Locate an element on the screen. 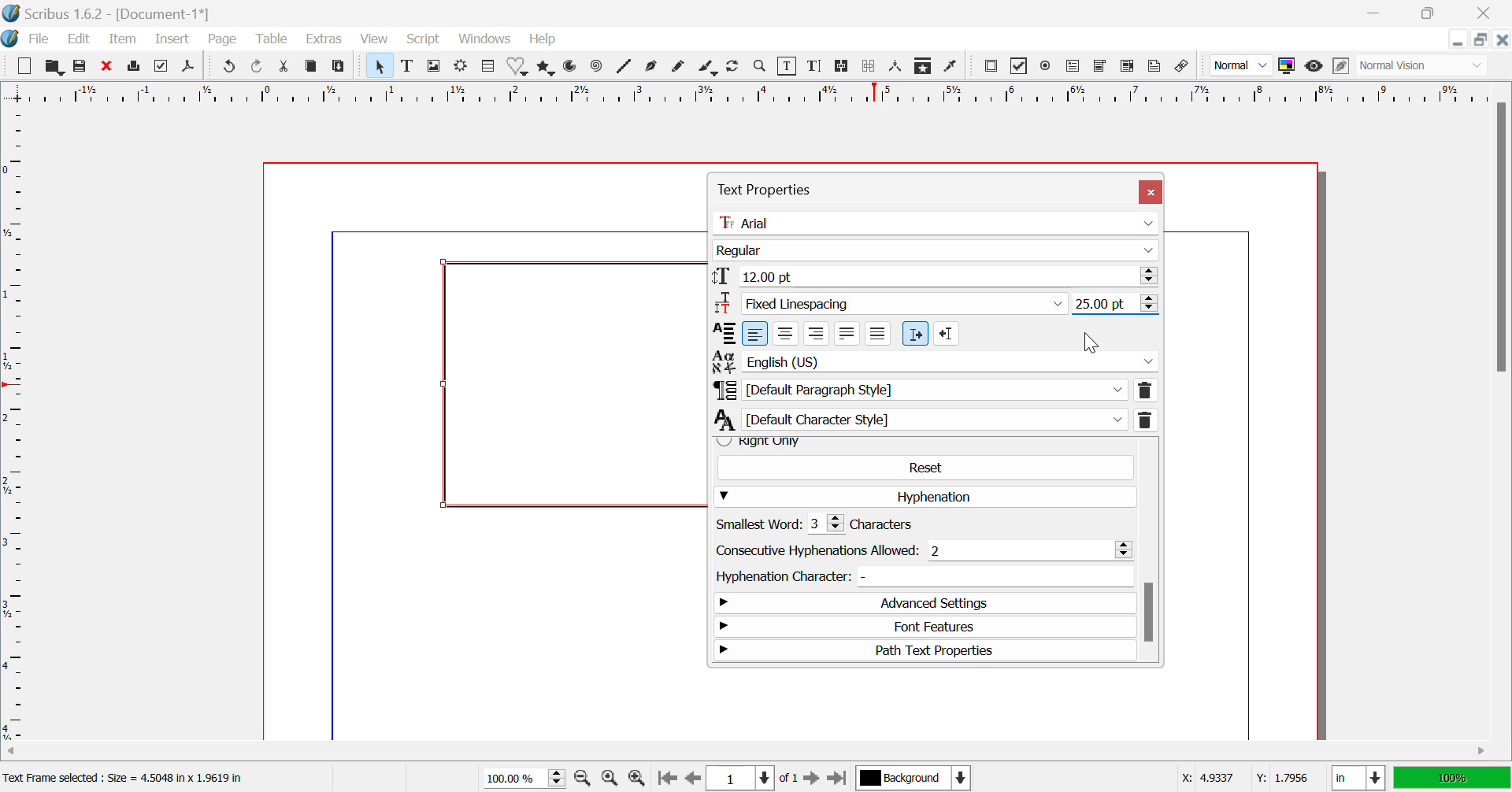 Image resolution: width=1512 pixels, height=792 pixels. Page 1 of 1 is located at coordinates (752, 777).